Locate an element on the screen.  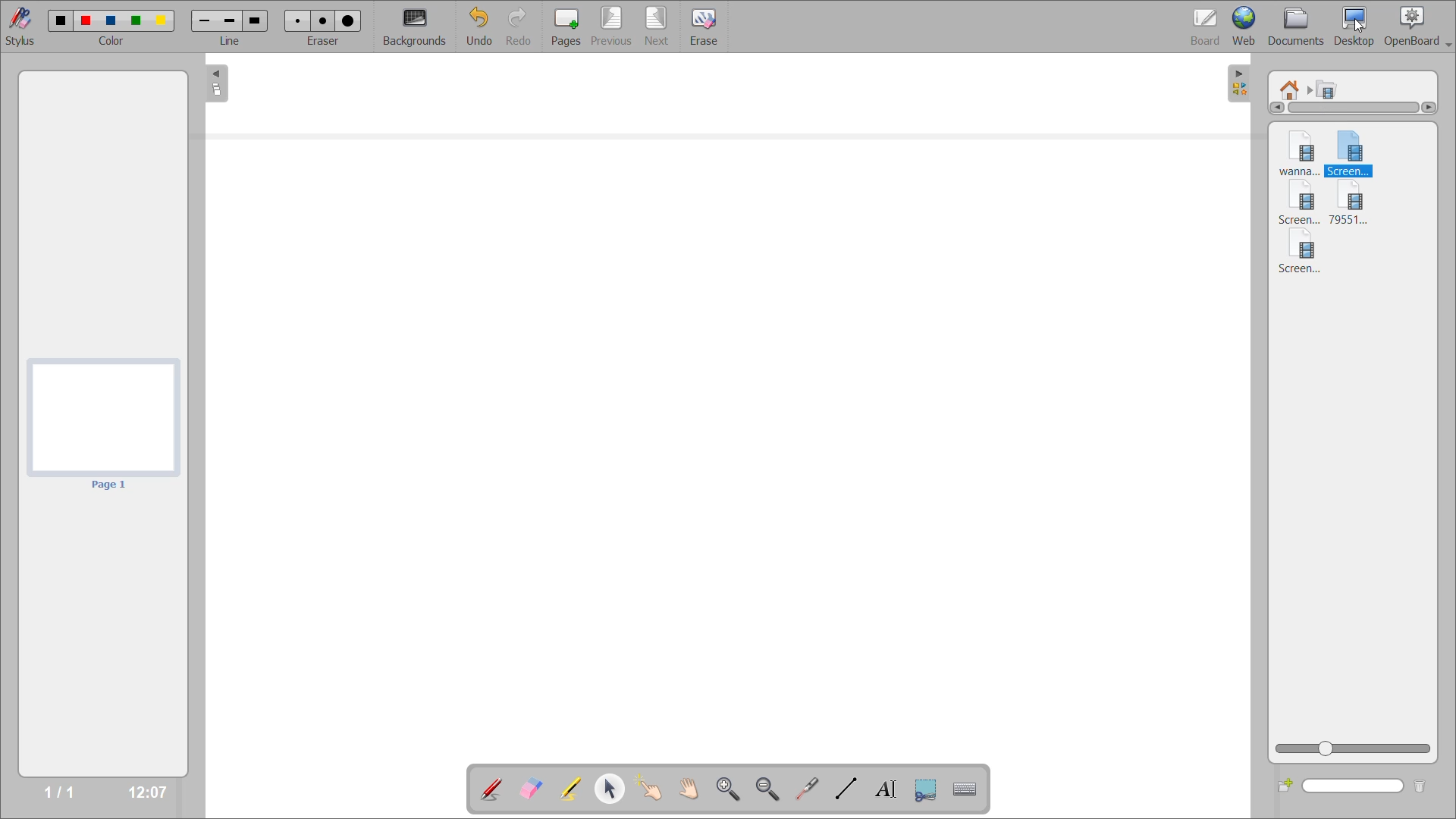
documents is located at coordinates (1298, 26).